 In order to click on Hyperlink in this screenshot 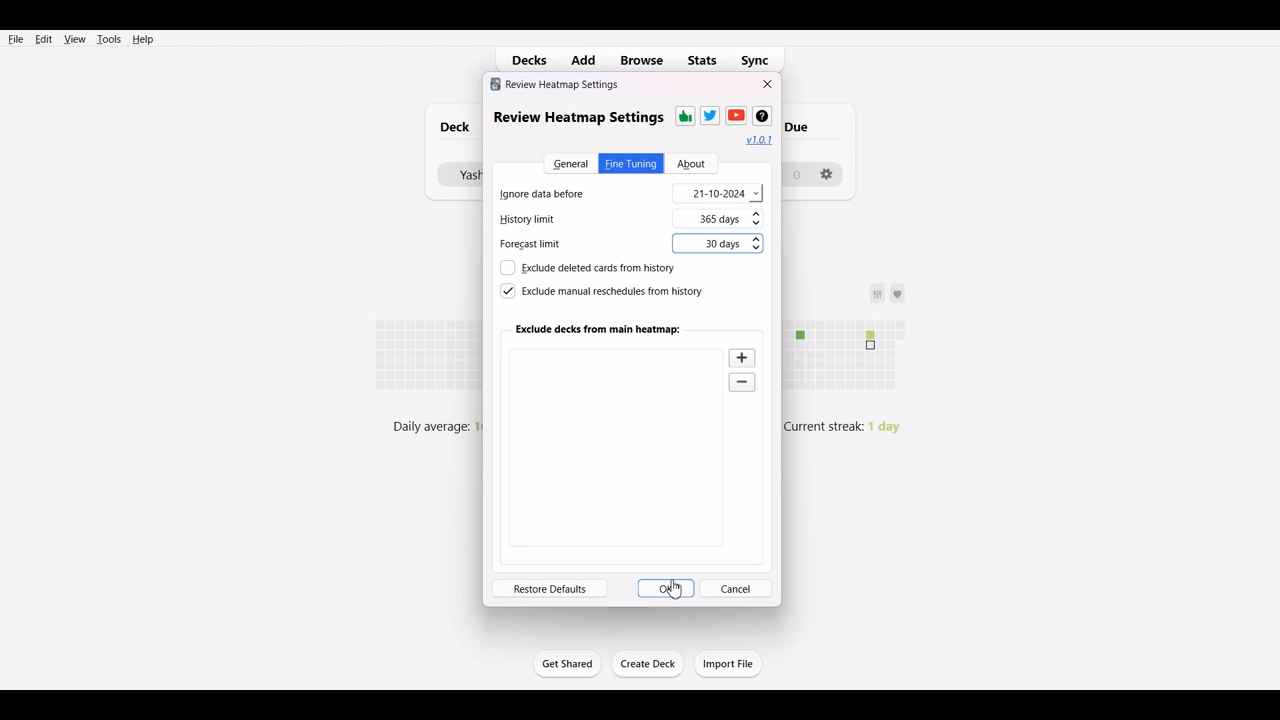, I will do `click(760, 140)`.